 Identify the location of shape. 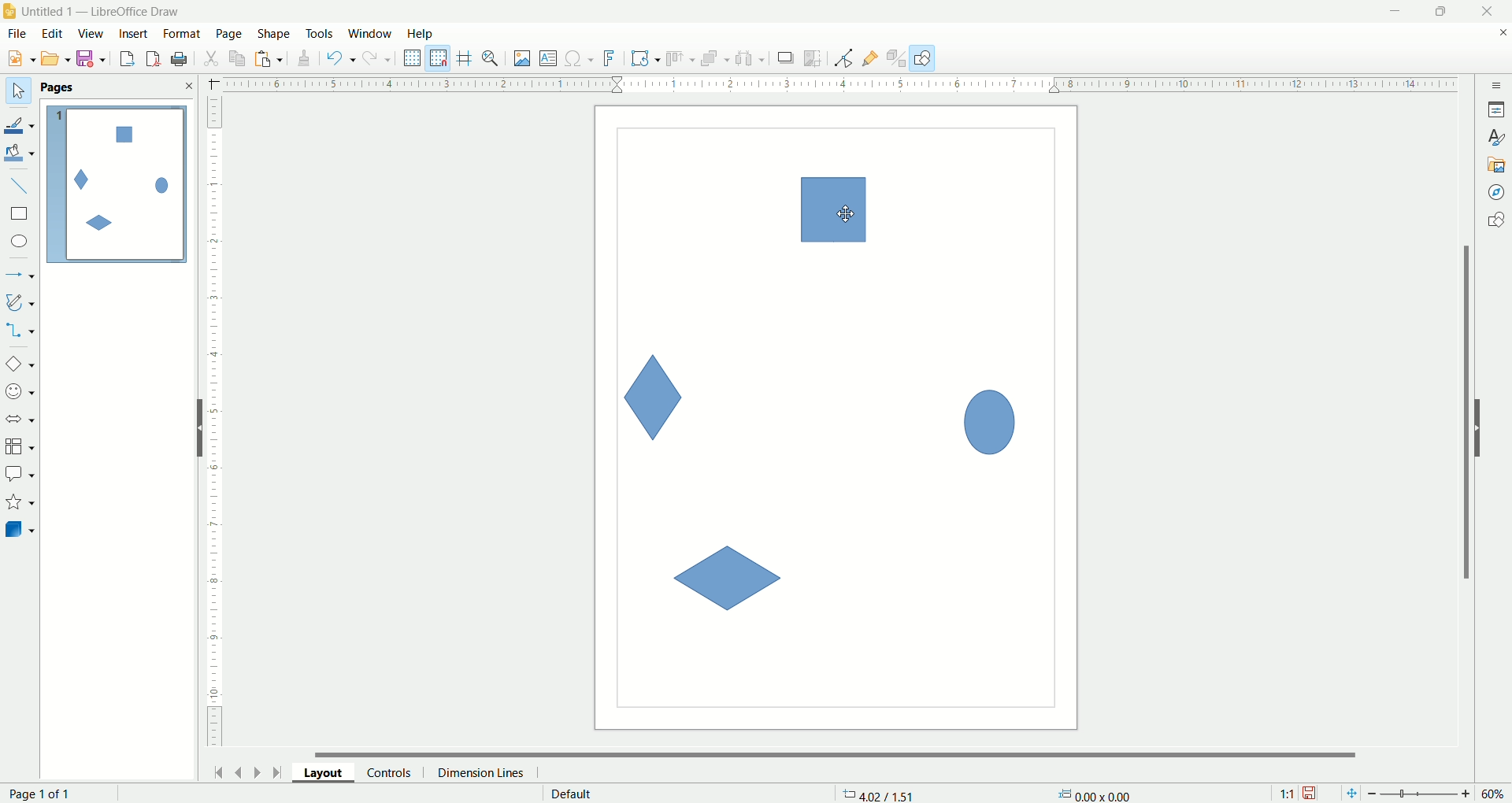
(275, 35).